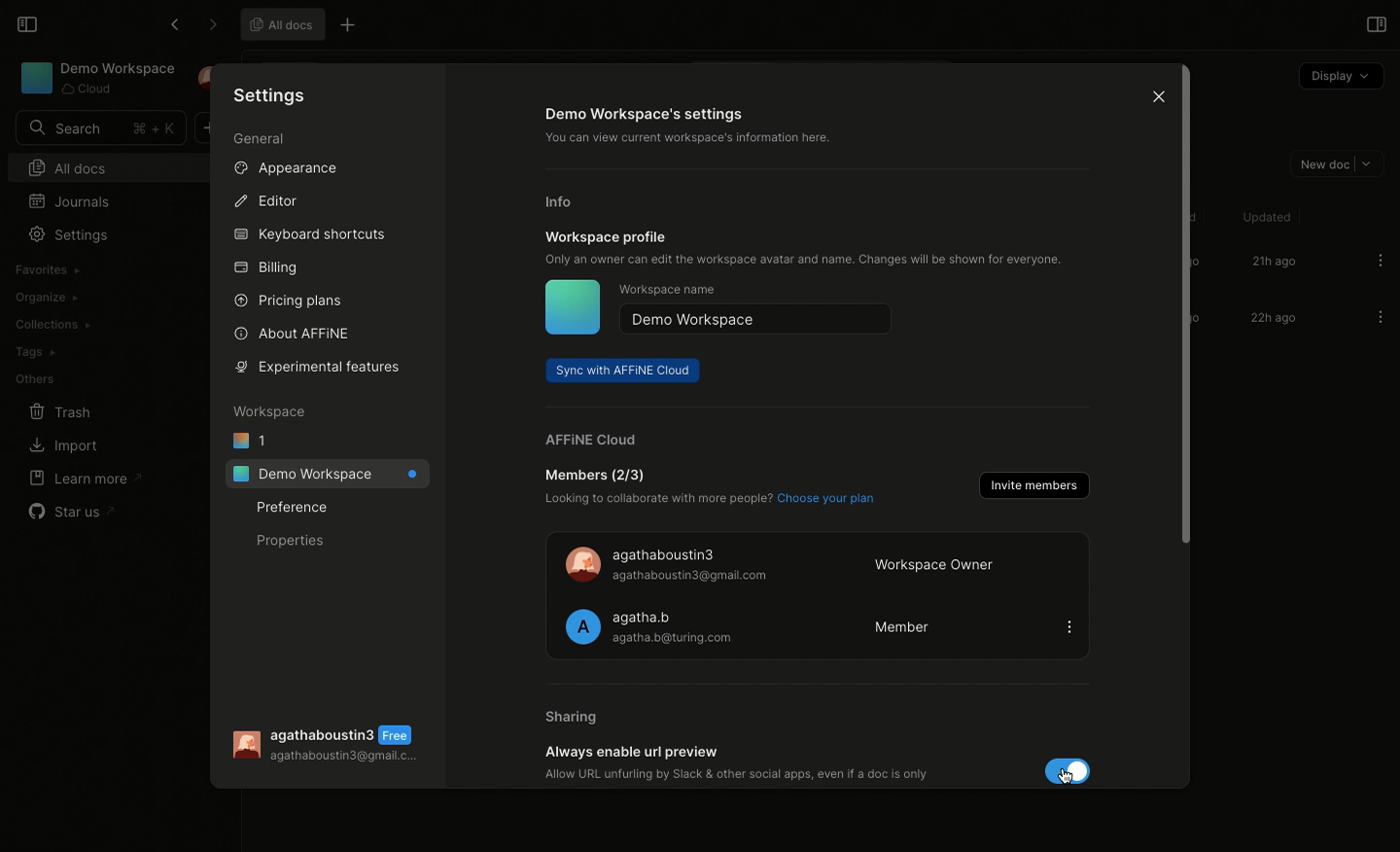 Image resolution: width=1400 pixels, height=852 pixels. I want to click on Forward, so click(212, 25).